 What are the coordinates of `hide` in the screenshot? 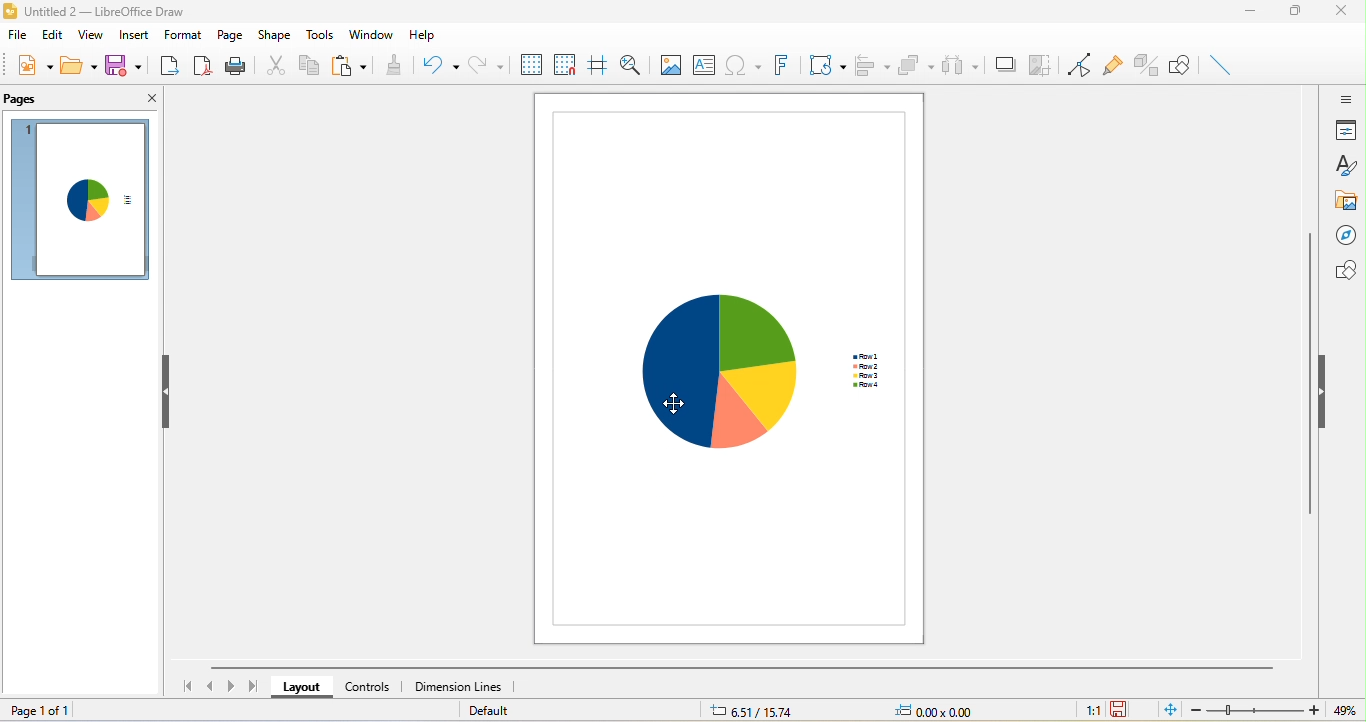 It's located at (168, 391).